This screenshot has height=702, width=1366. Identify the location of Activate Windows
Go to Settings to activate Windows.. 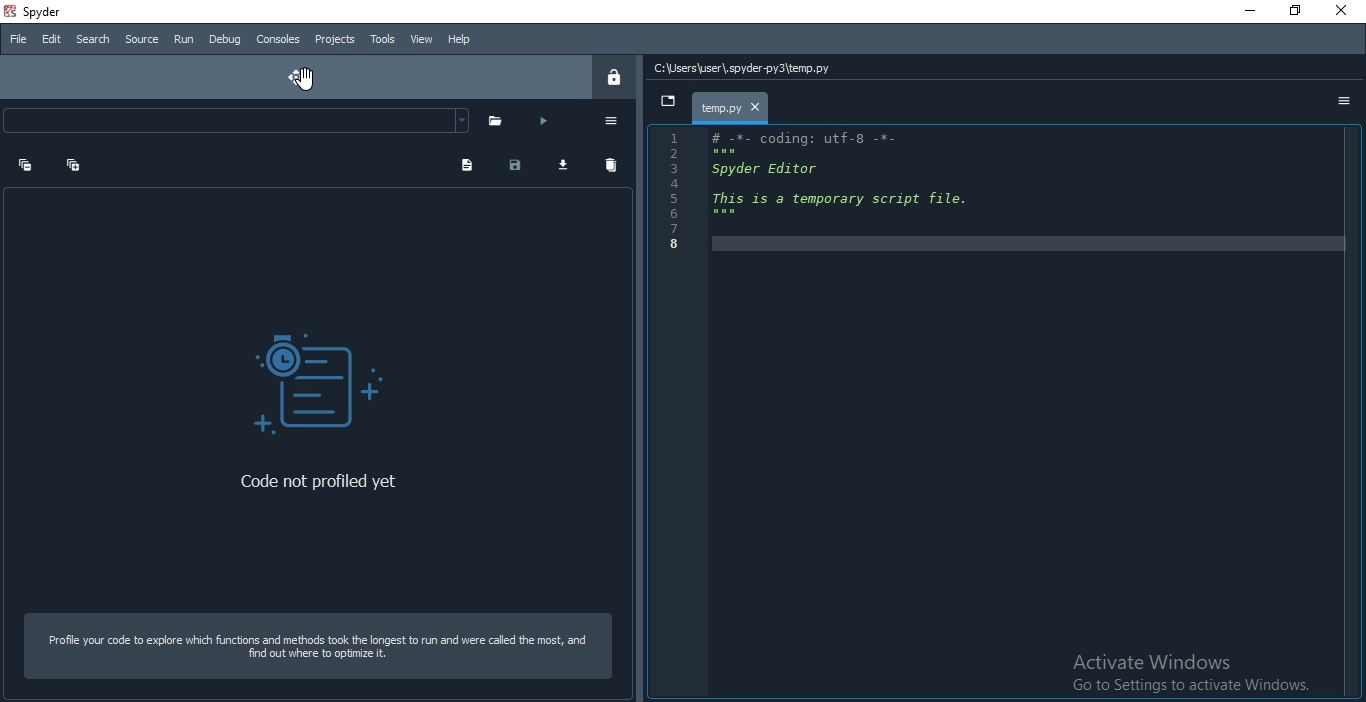
(1183, 673).